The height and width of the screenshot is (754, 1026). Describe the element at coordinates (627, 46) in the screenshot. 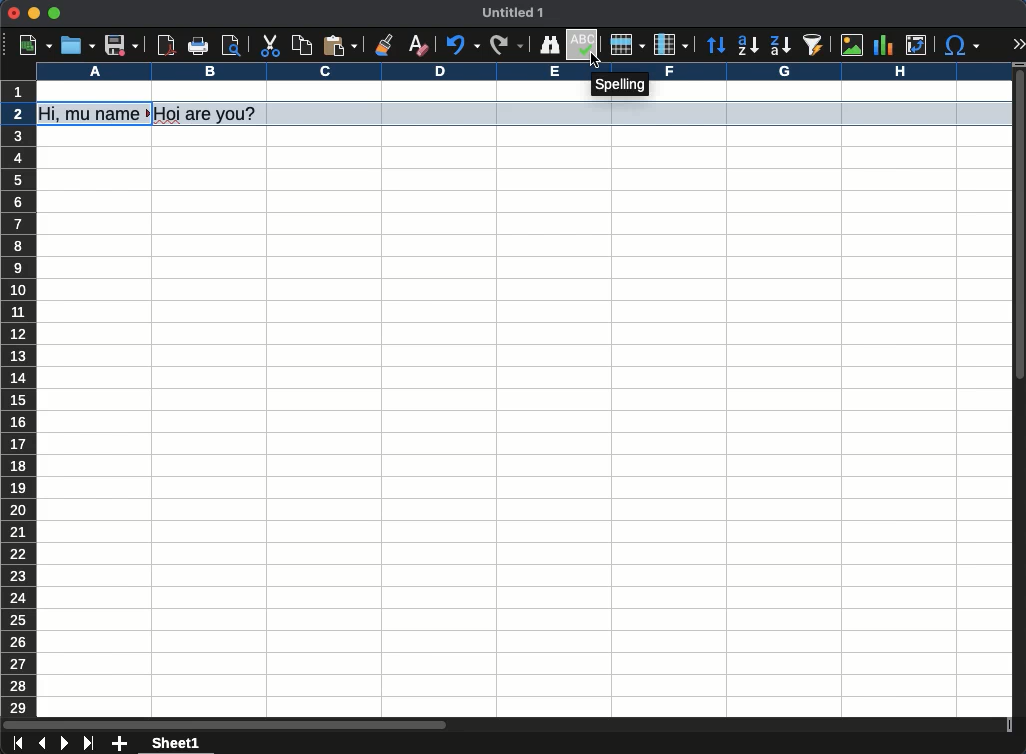

I see `row` at that location.